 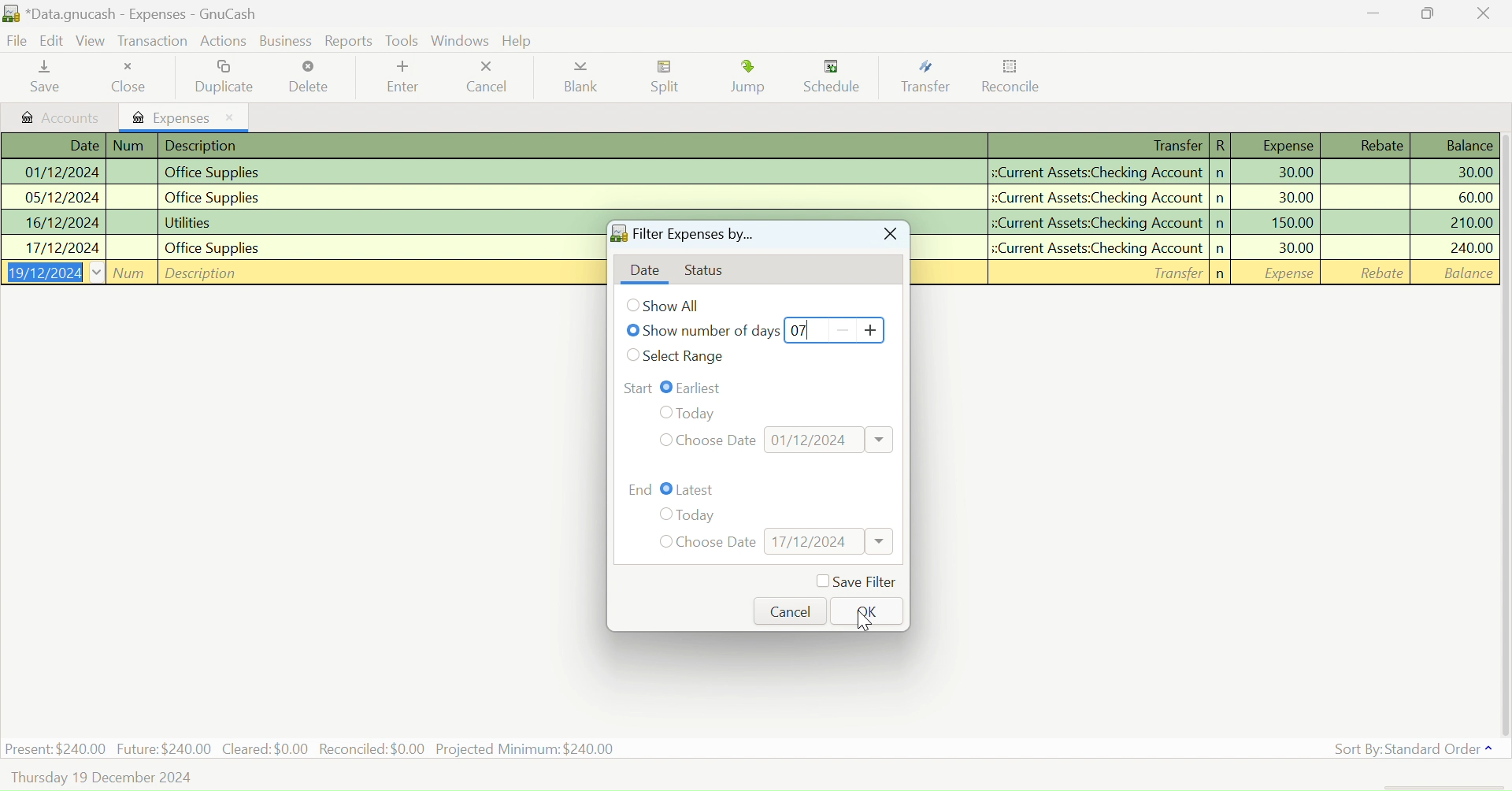 I want to click on Cursor on OK, so click(x=865, y=620).